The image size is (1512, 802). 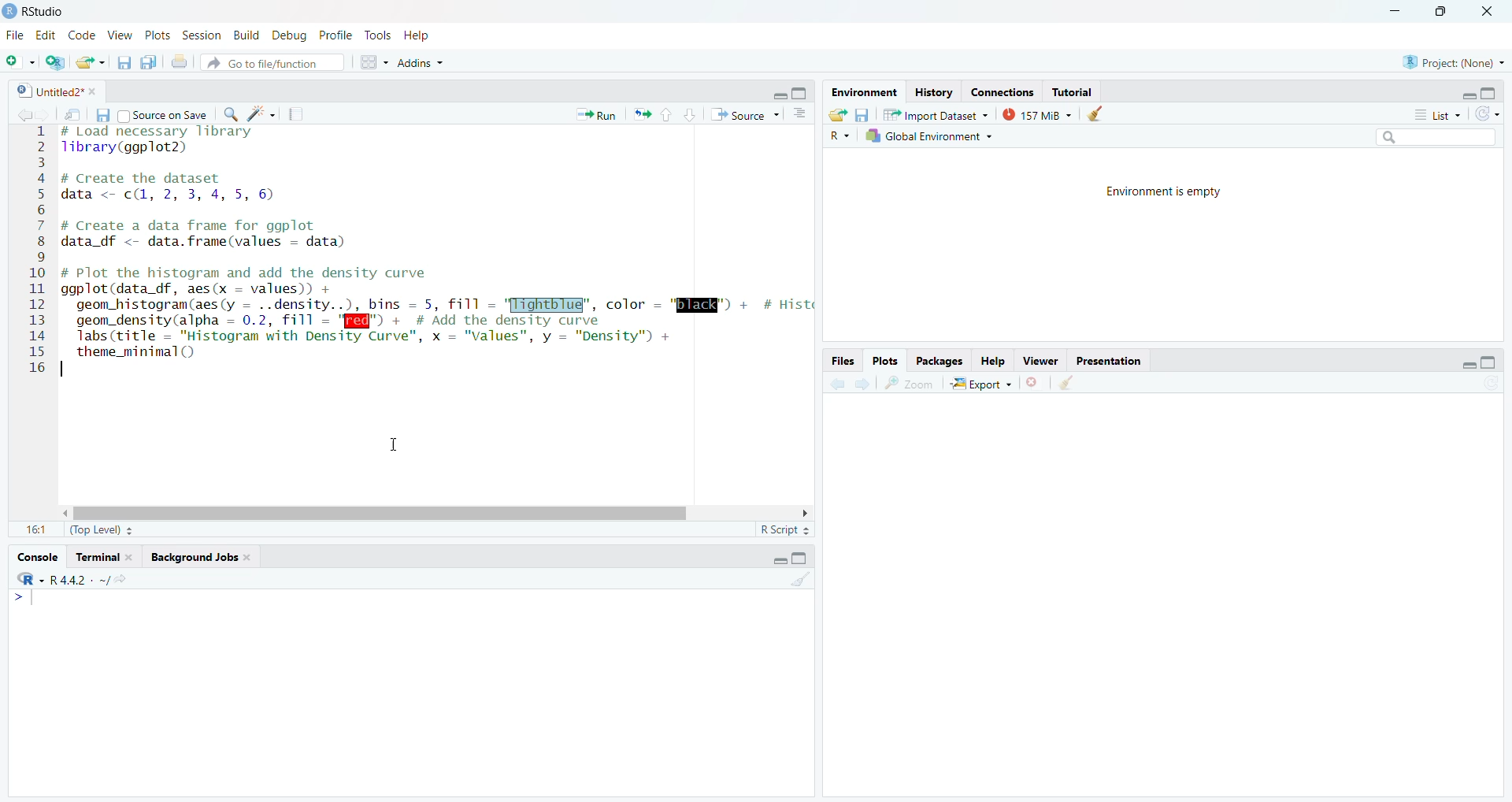 I want to click on clear console, so click(x=800, y=581).